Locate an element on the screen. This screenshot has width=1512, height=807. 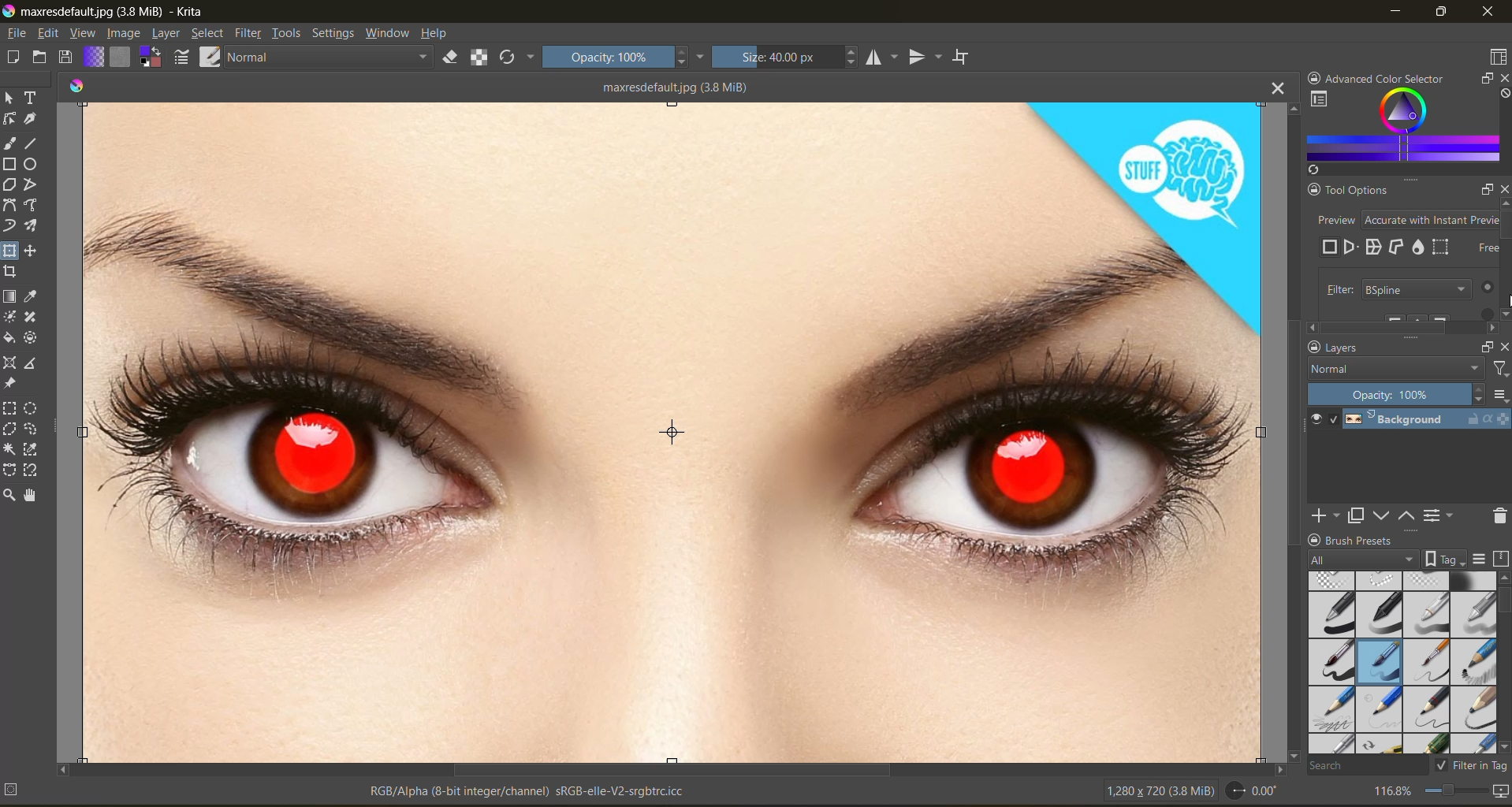
liquify is located at coordinates (1417, 247).